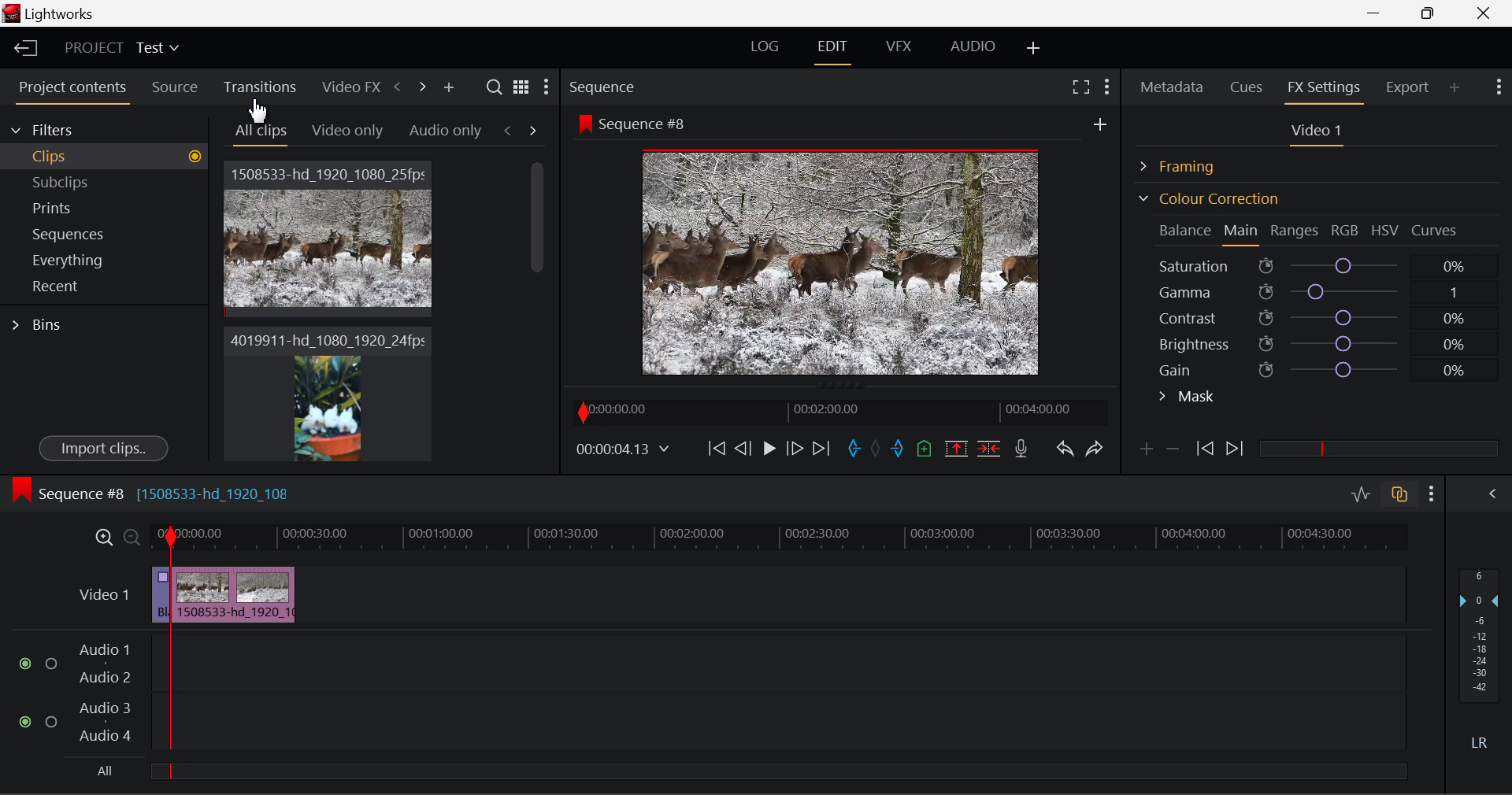 This screenshot has height=795, width=1512. What do you see at coordinates (624, 450) in the screenshot?
I see `Frame Time` at bounding box center [624, 450].